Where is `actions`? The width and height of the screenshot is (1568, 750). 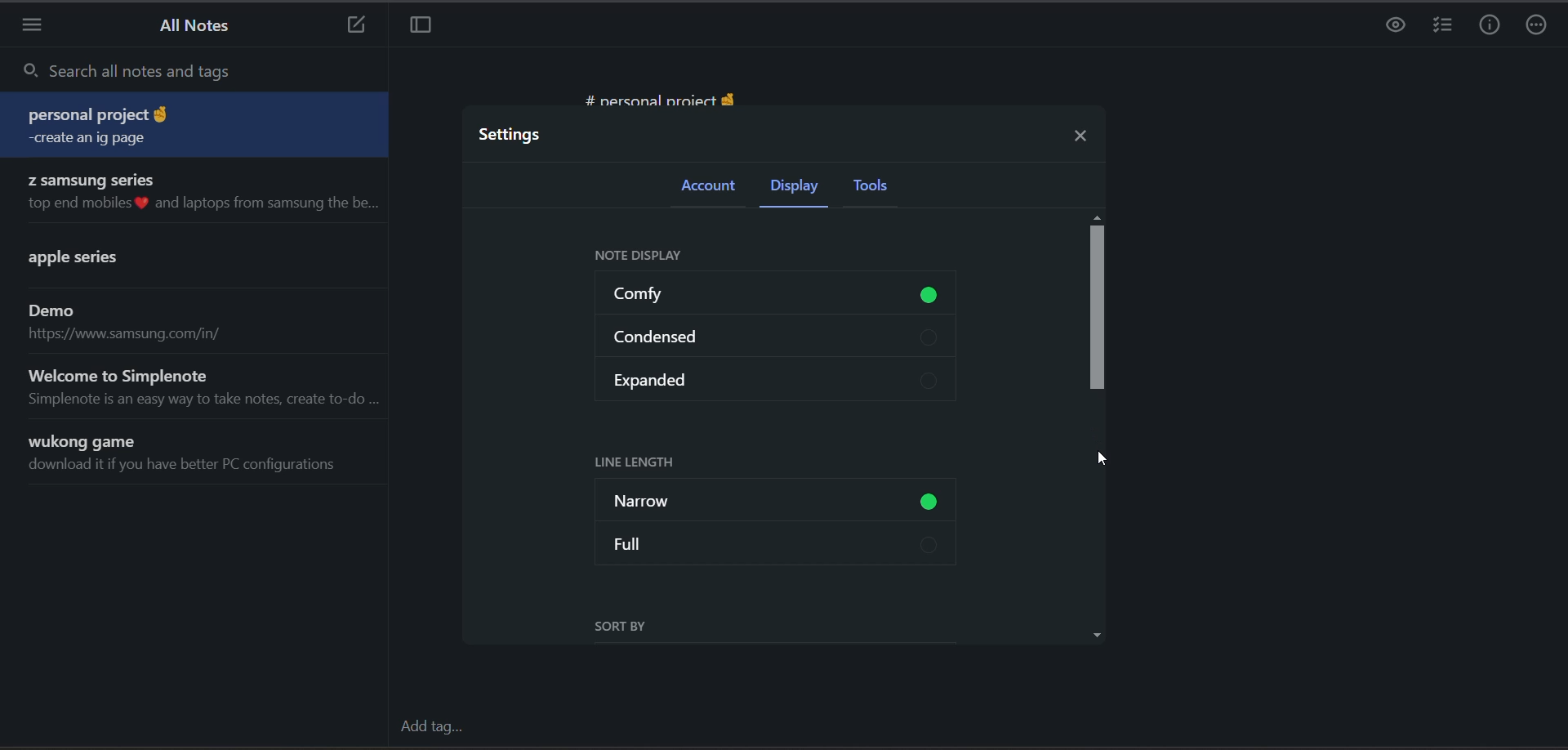 actions is located at coordinates (1537, 27).